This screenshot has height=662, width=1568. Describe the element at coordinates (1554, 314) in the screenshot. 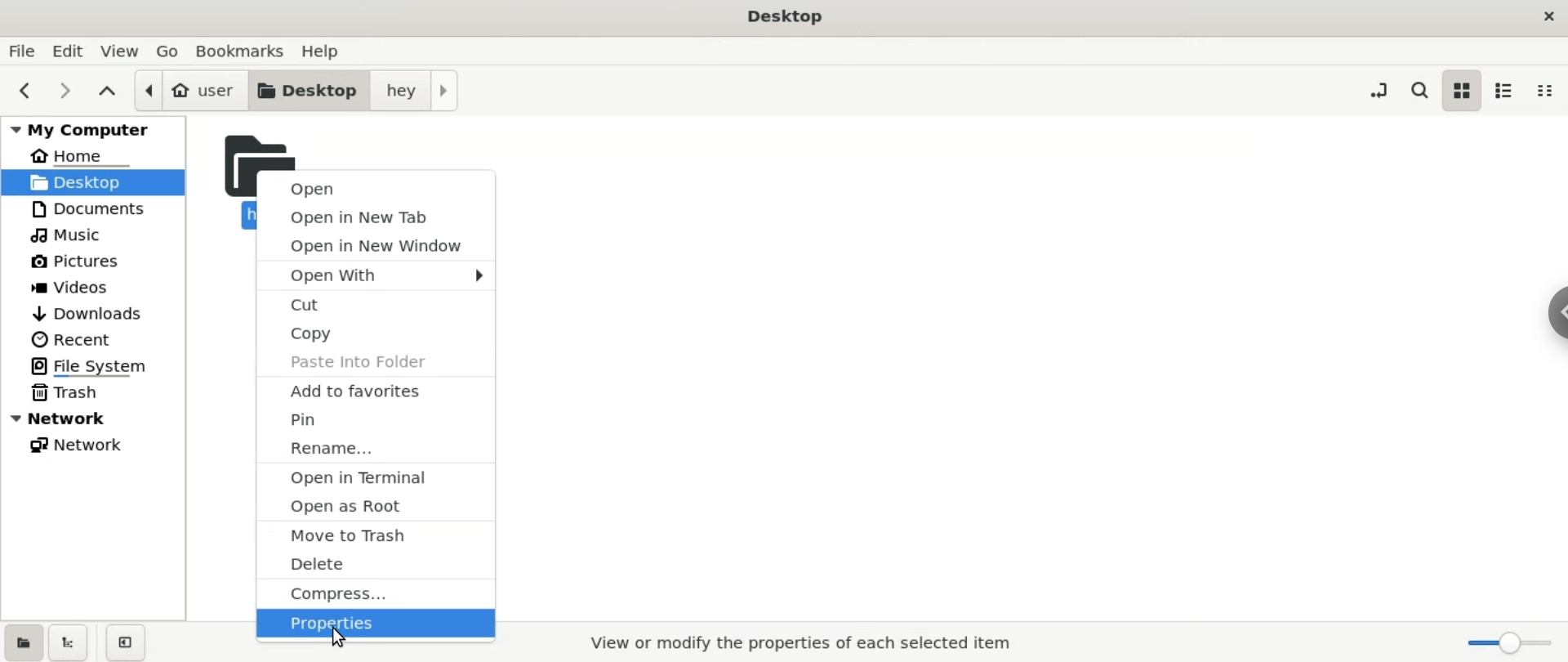

I see `Sidebar` at that location.